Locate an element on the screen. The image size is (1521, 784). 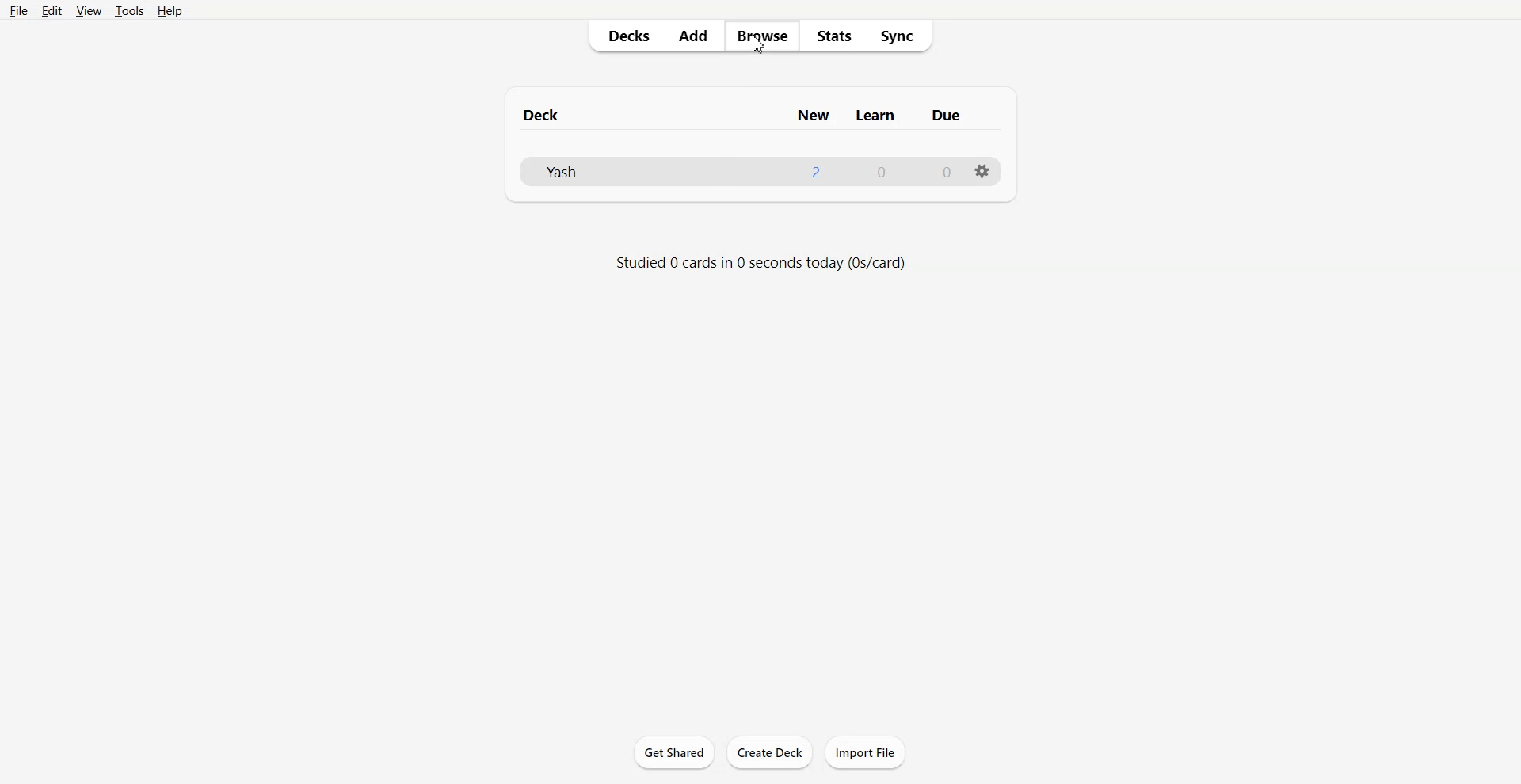
Edit is located at coordinates (52, 10).